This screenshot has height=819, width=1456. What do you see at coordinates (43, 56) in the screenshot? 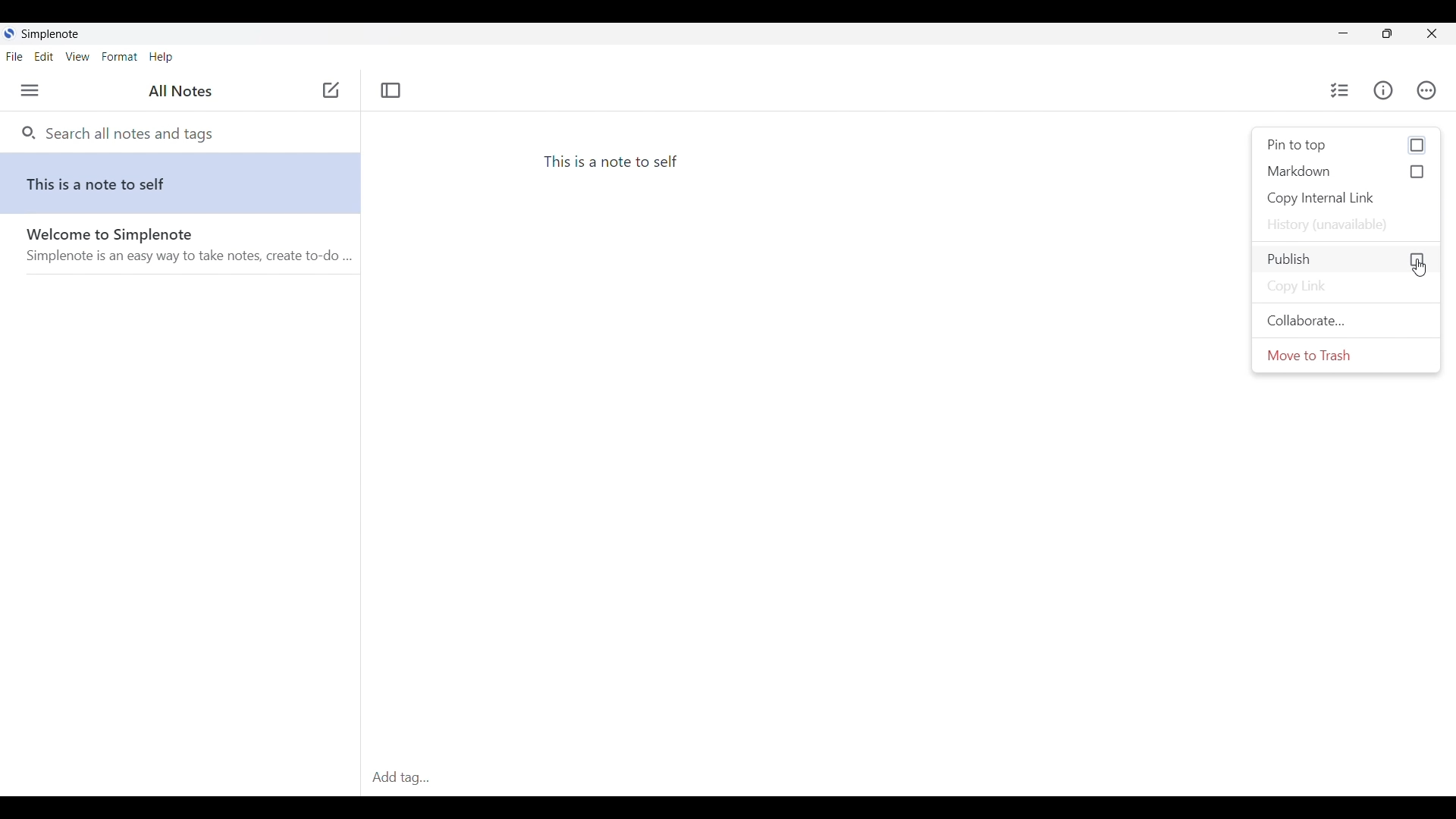
I see `Edit` at bounding box center [43, 56].